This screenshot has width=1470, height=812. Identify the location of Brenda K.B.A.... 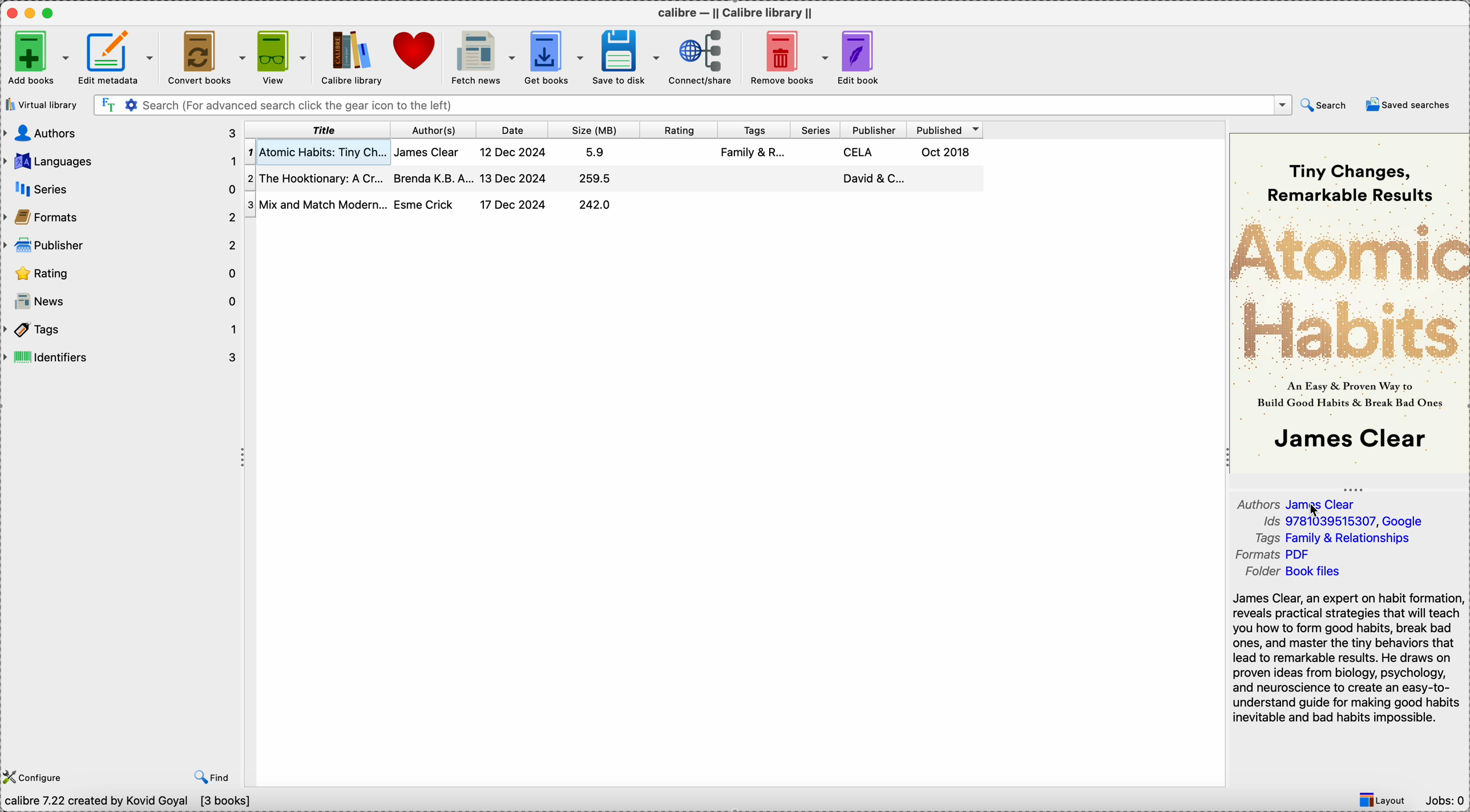
(433, 179).